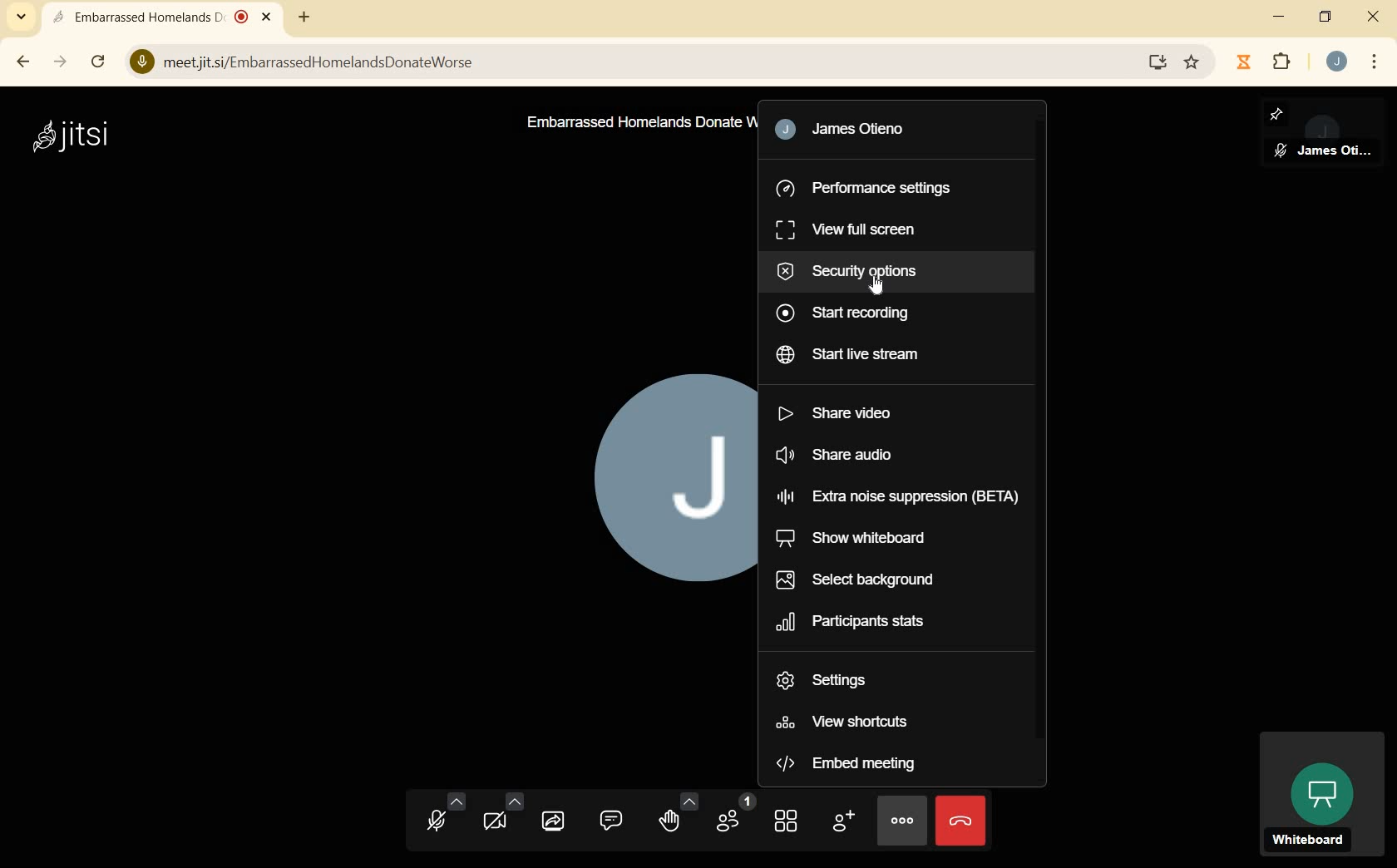 The height and width of the screenshot is (868, 1397). What do you see at coordinates (614, 821) in the screenshot?
I see `open chat` at bounding box center [614, 821].